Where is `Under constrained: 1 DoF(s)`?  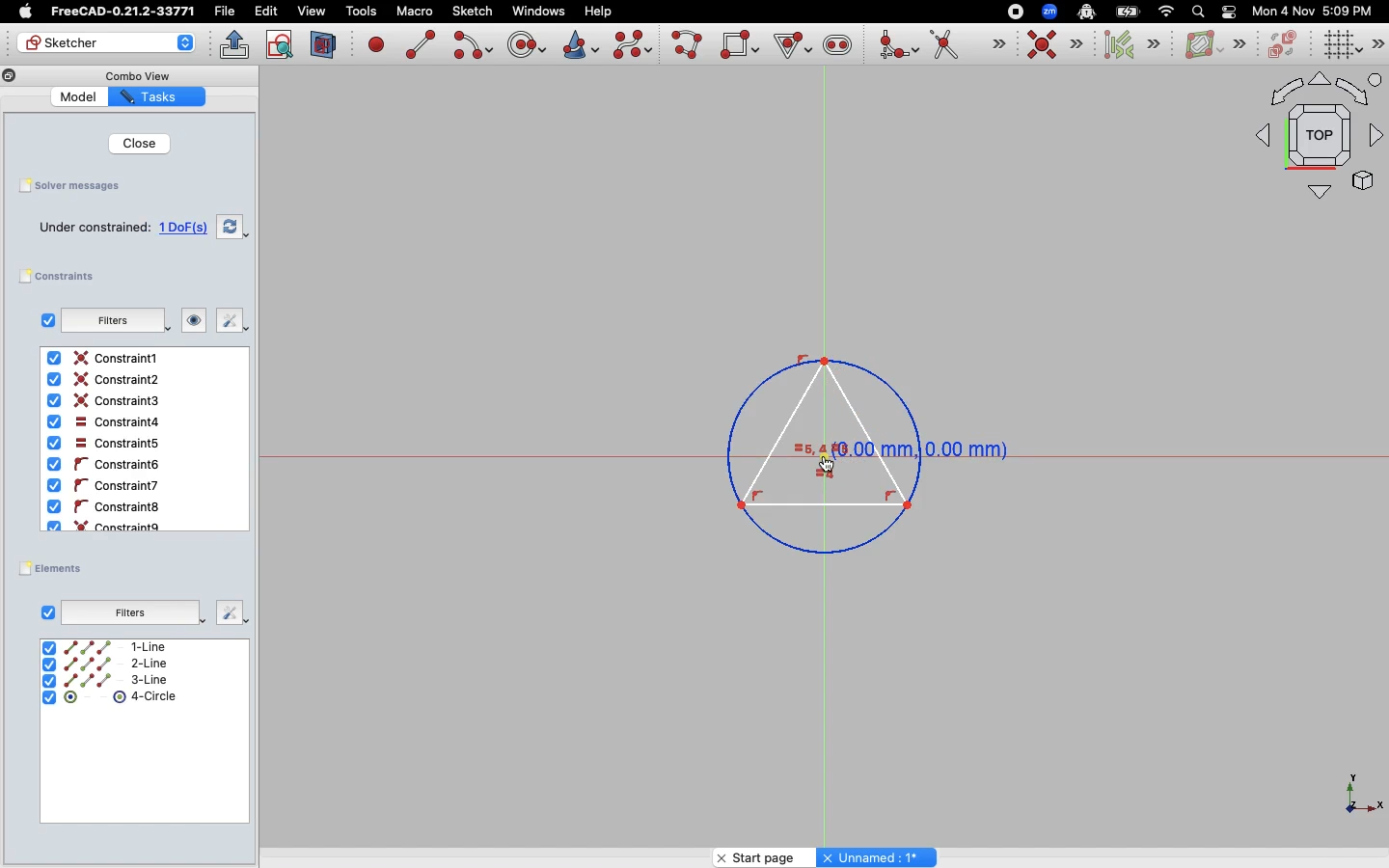 Under constrained: 1 DoF(s) is located at coordinates (110, 230).